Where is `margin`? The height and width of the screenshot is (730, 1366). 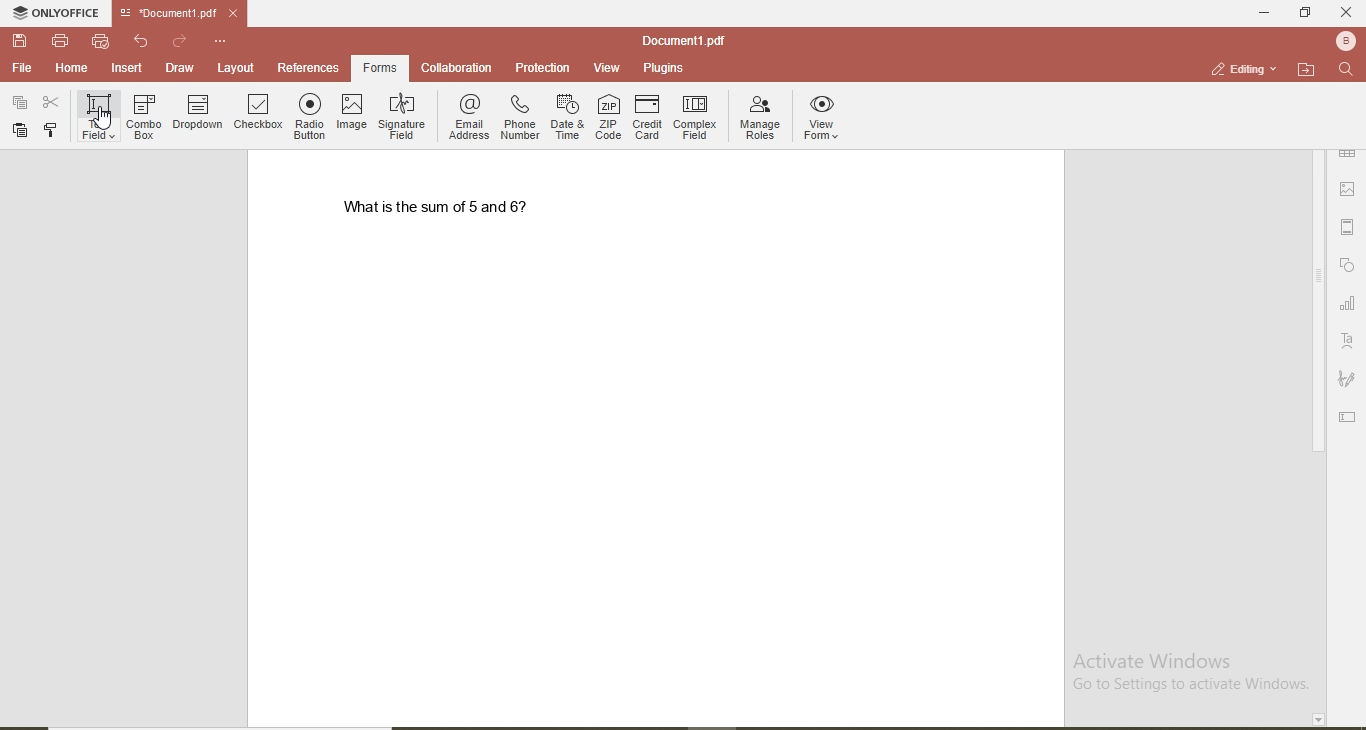 margin is located at coordinates (1350, 229).